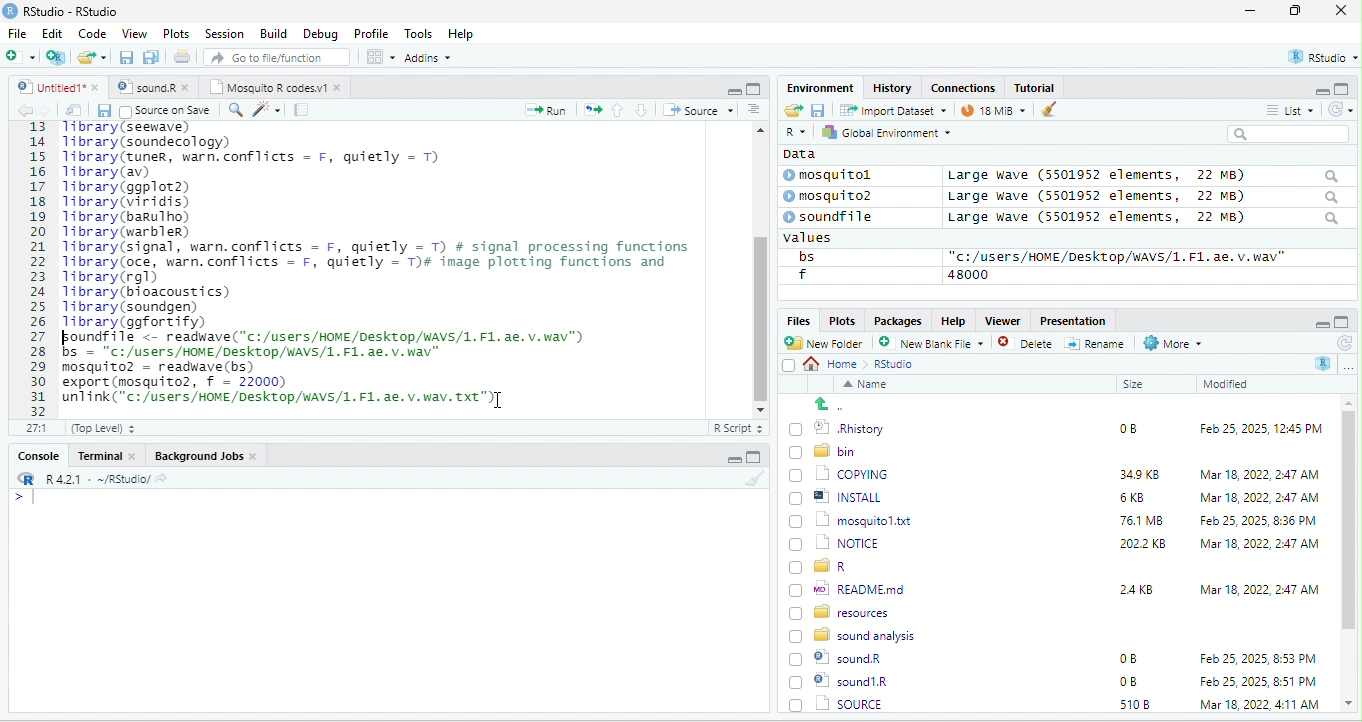 The image size is (1362, 722). Describe the element at coordinates (855, 634) in the screenshot. I see `8 sound analysis` at that location.